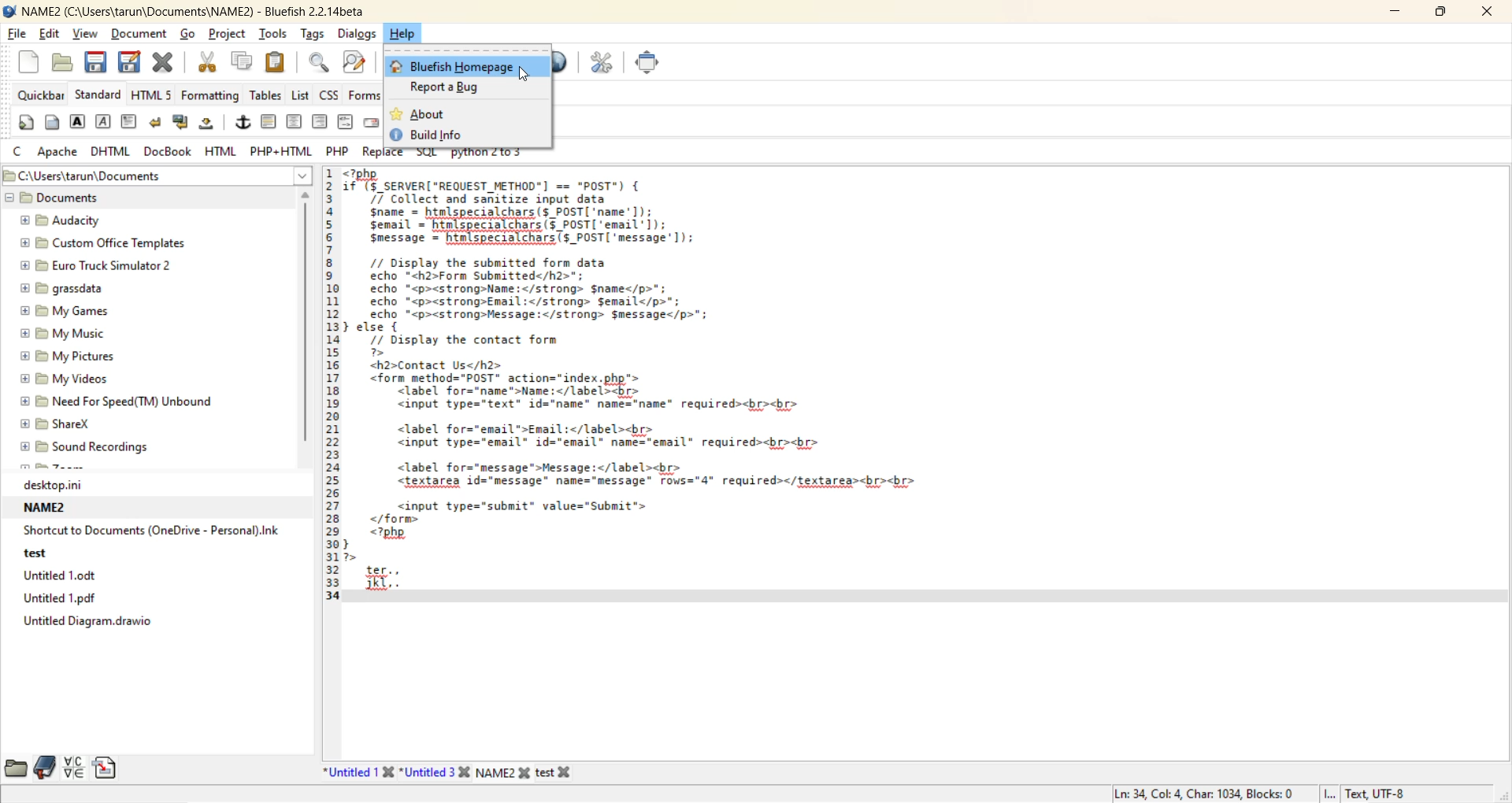  Describe the element at coordinates (634, 389) in the screenshot. I see `code editor` at that location.